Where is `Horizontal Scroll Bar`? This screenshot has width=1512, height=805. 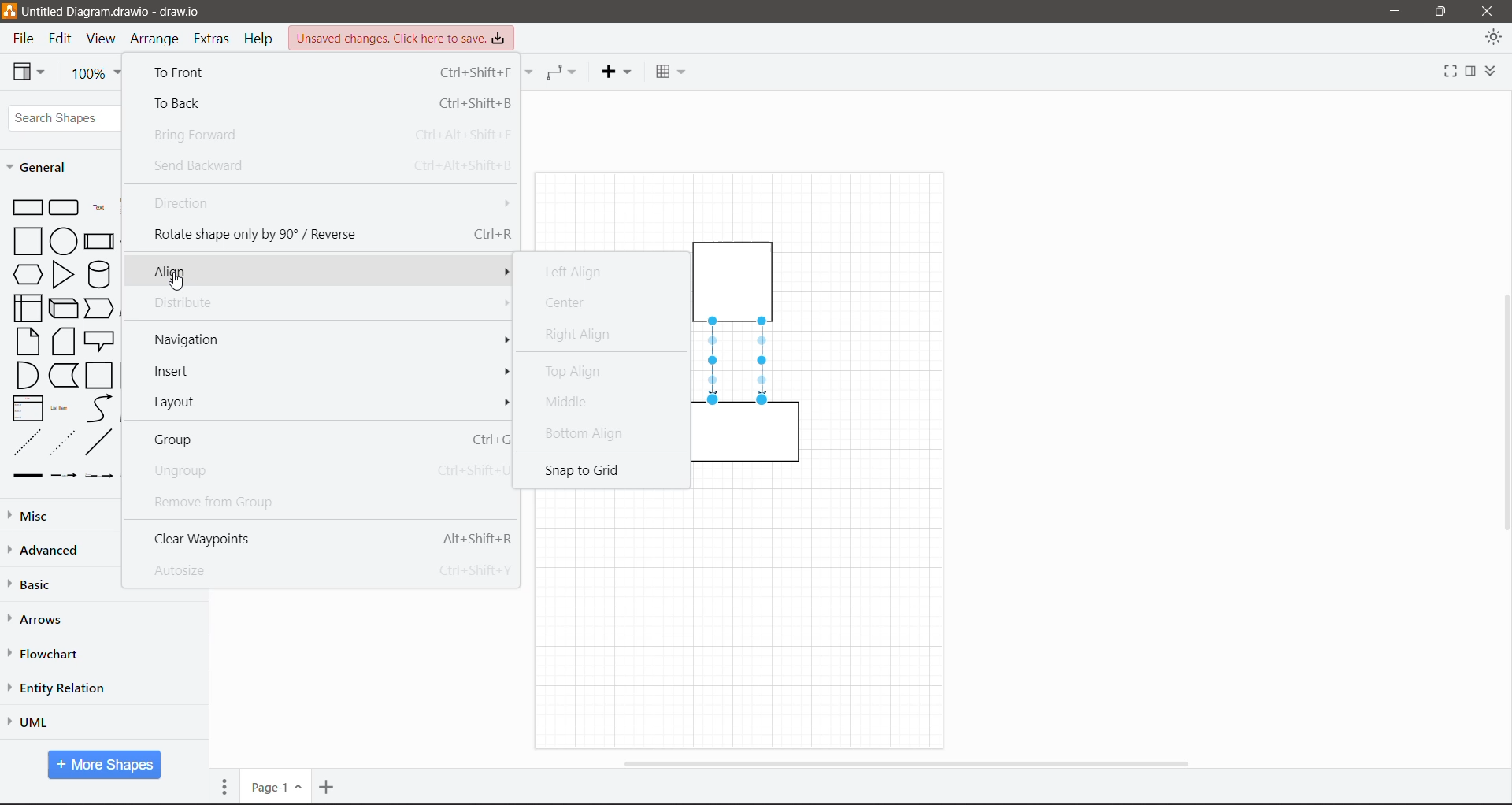 Horizontal Scroll Bar is located at coordinates (904, 762).